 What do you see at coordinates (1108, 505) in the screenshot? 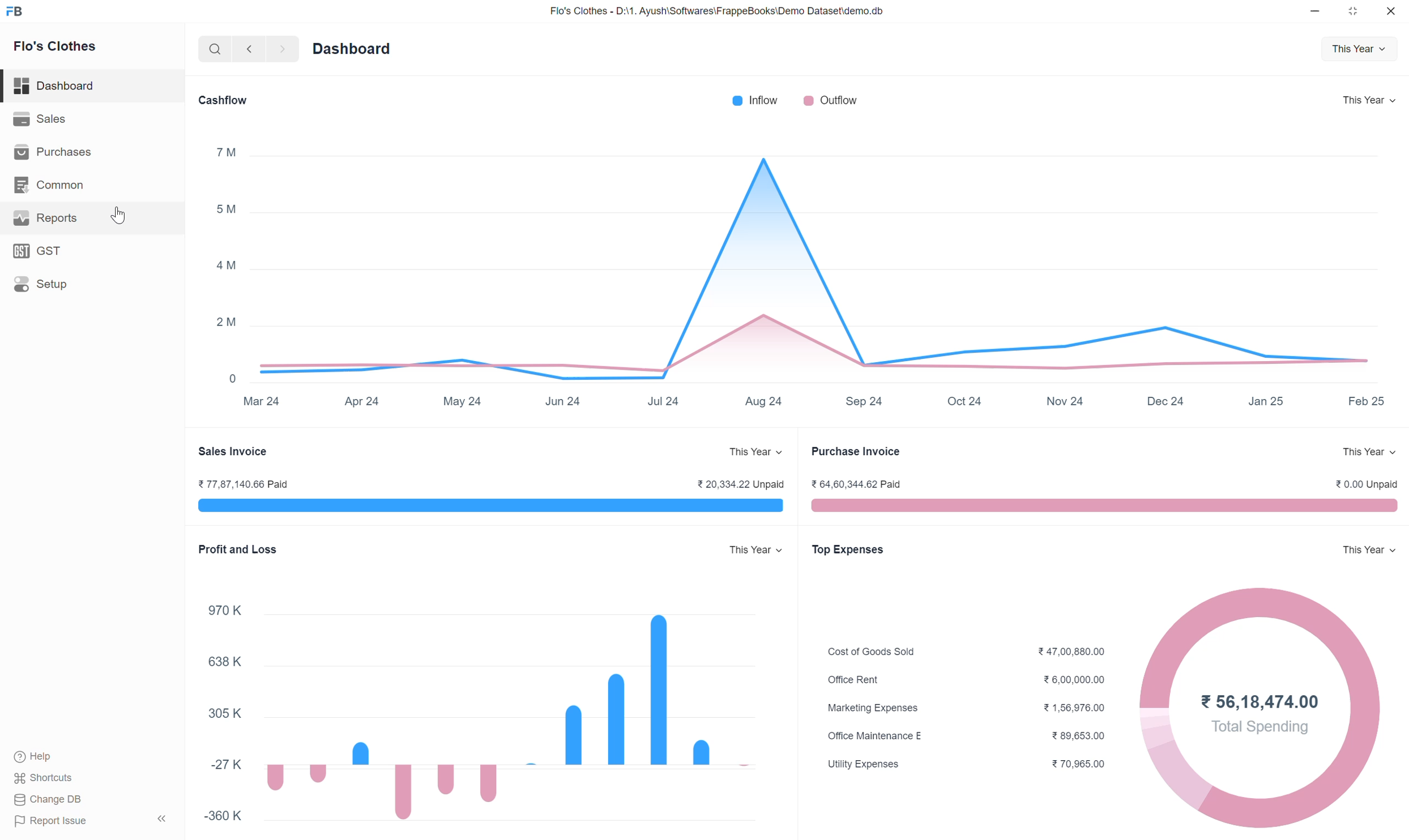
I see `purchase invoice` at bounding box center [1108, 505].